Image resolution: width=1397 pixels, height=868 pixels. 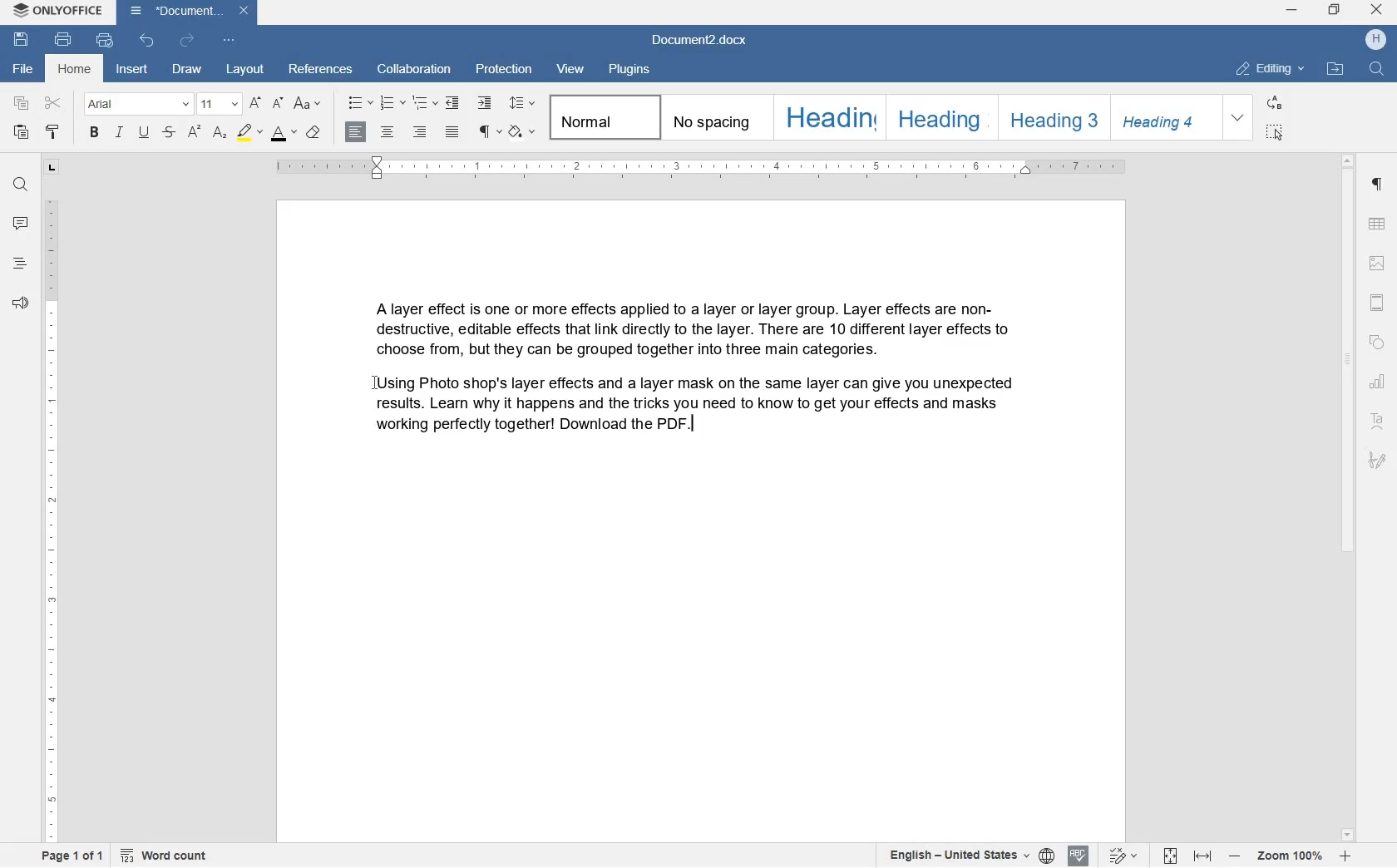 What do you see at coordinates (20, 264) in the screenshot?
I see `HEADINGS` at bounding box center [20, 264].